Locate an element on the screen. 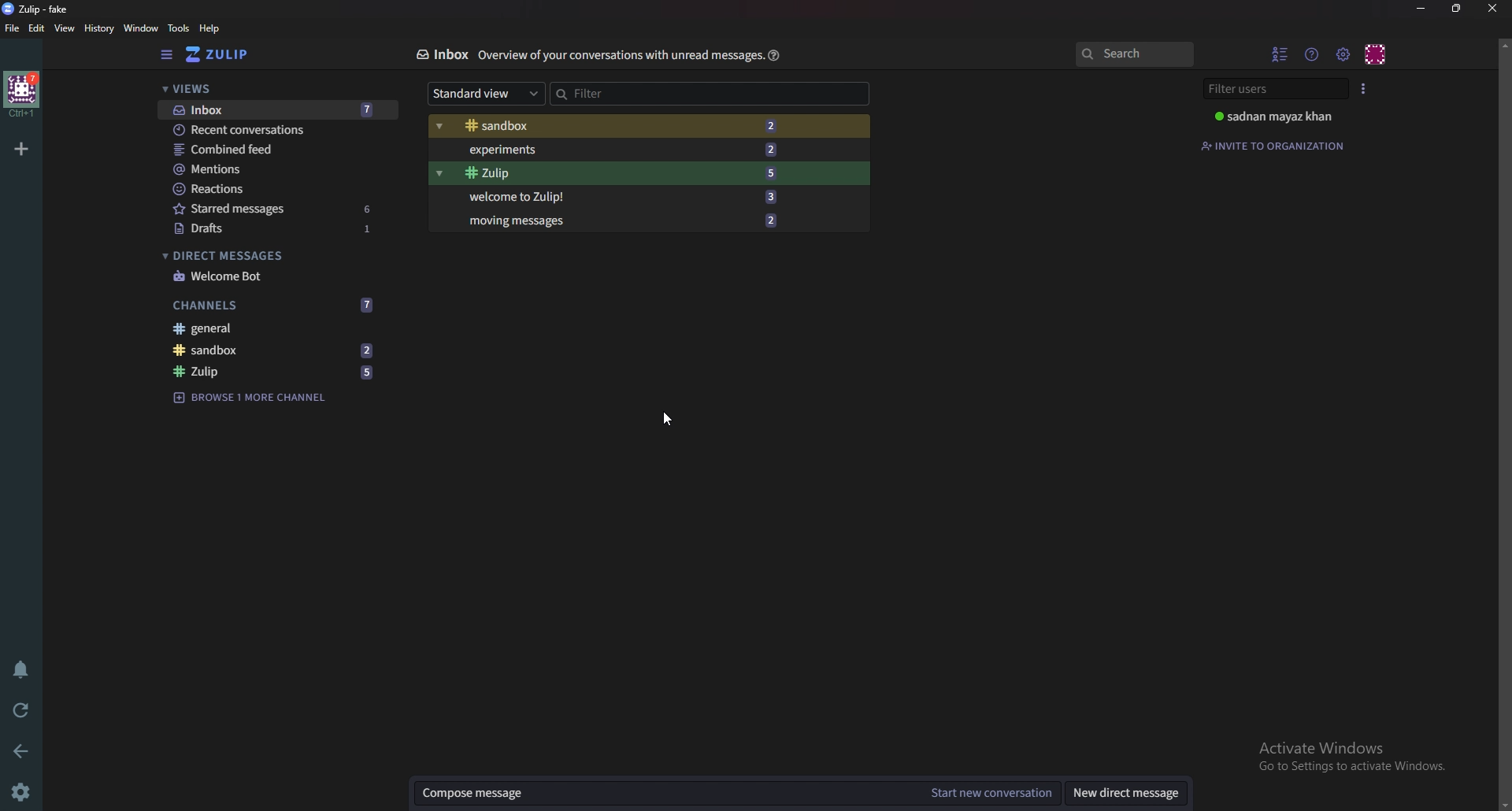 The height and width of the screenshot is (811, 1512). Welcome to Zulip is located at coordinates (533, 197).